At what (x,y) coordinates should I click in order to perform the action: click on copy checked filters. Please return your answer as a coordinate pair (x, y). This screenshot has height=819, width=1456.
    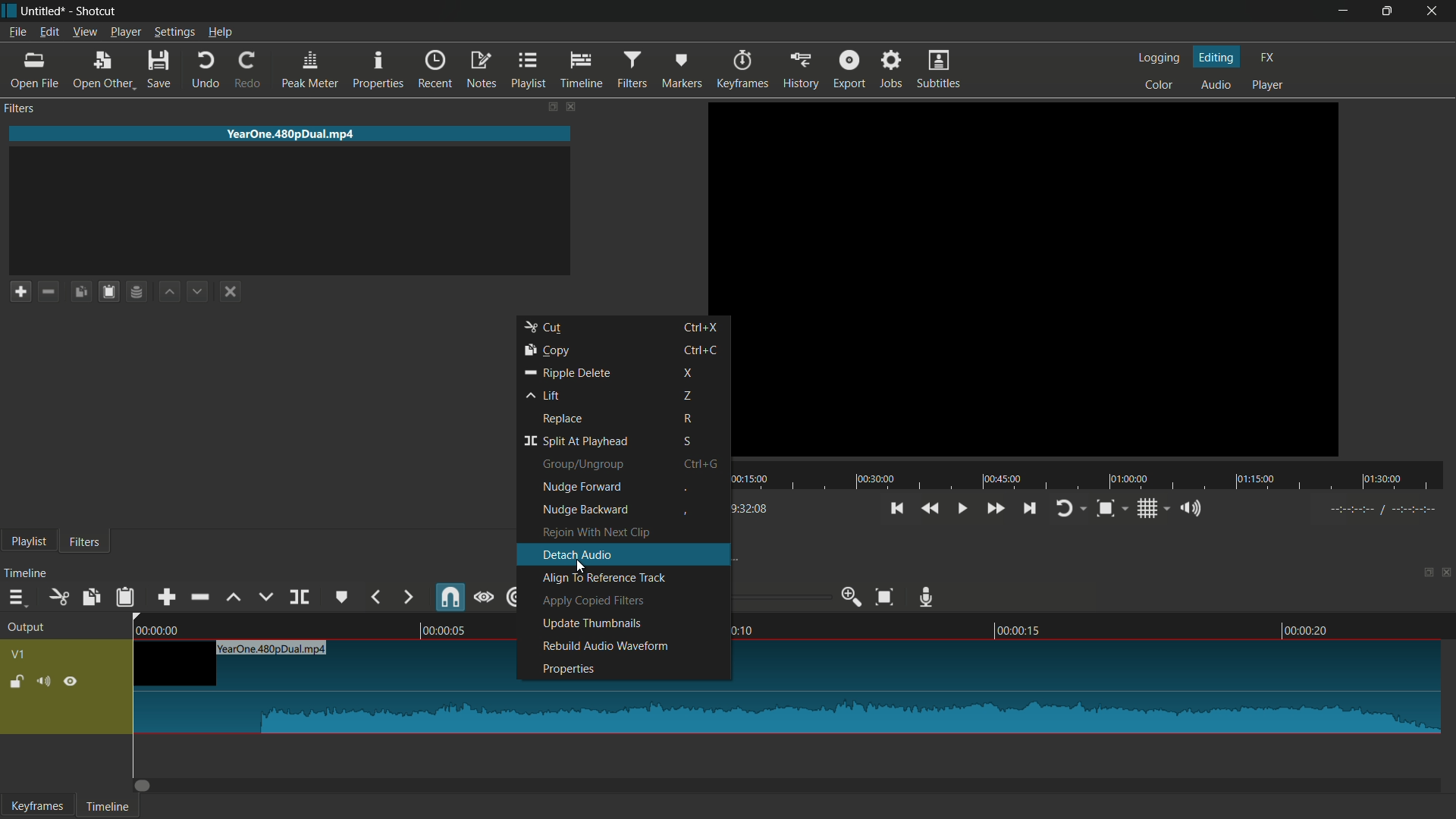
    Looking at the image, I should click on (81, 292).